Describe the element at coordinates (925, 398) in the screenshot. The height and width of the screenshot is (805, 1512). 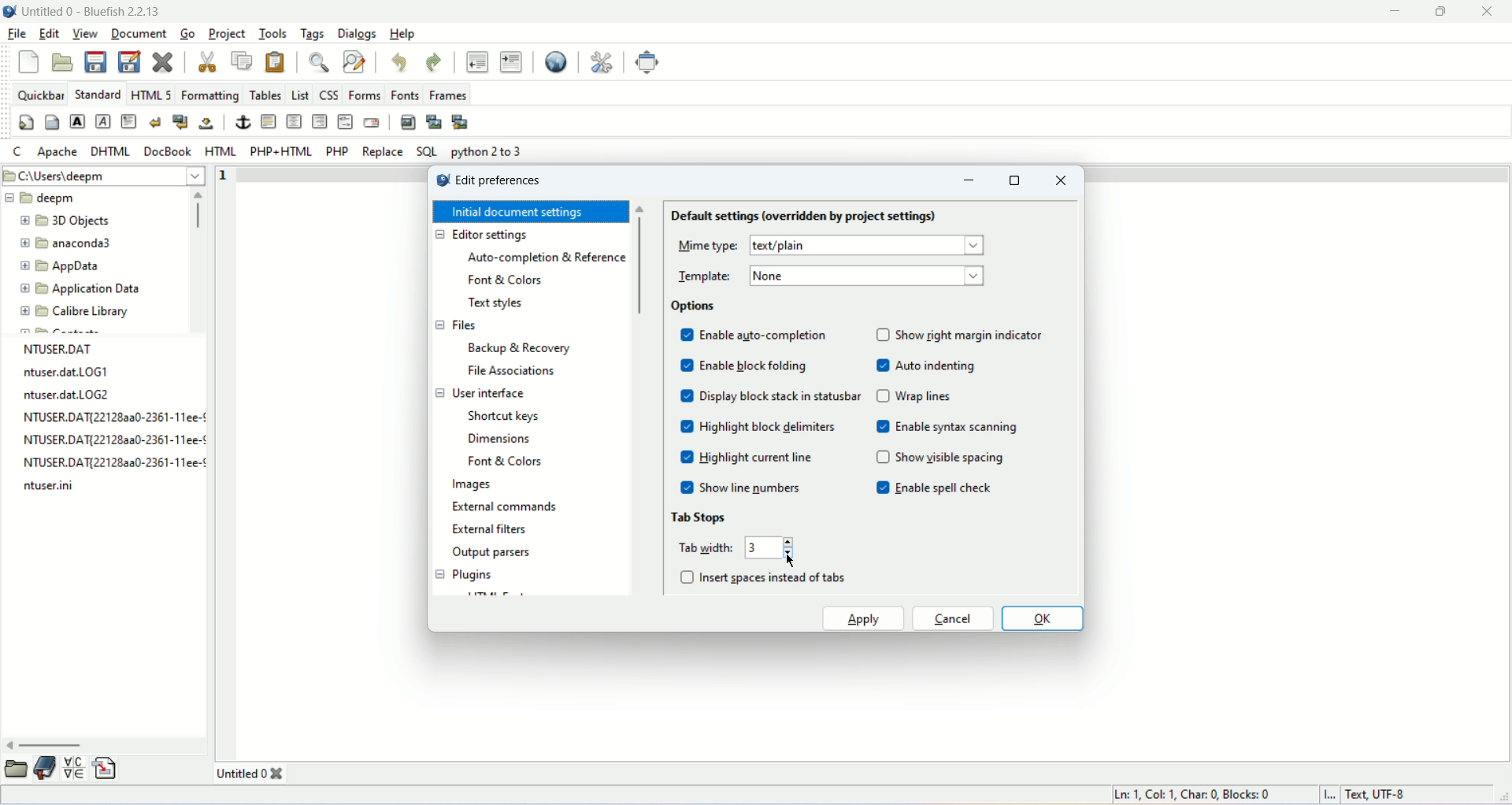
I see `wrap lines` at that location.